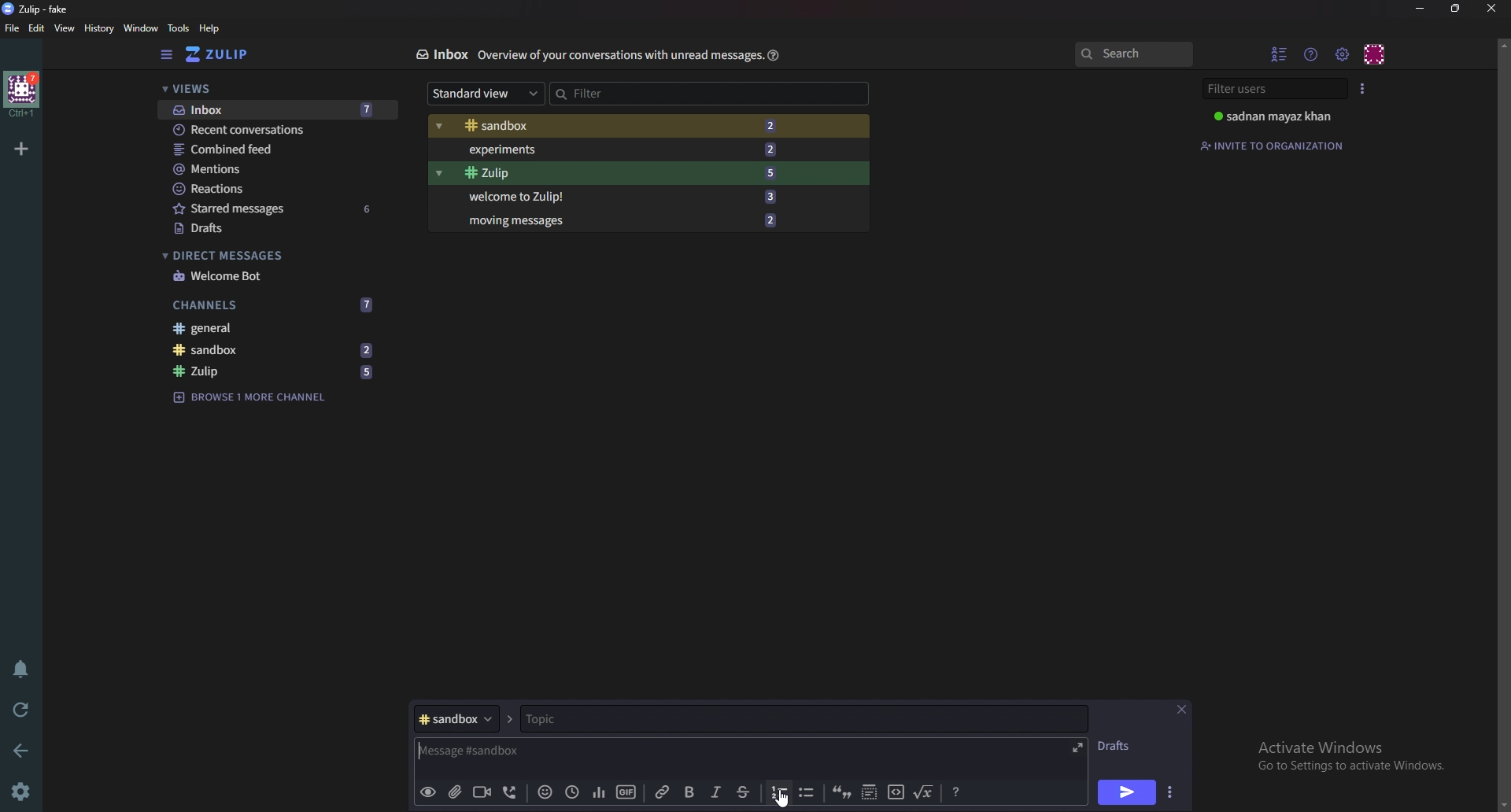 This screenshot has height=812, width=1511. What do you see at coordinates (209, 29) in the screenshot?
I see `help` at bounding box center [209, 29].